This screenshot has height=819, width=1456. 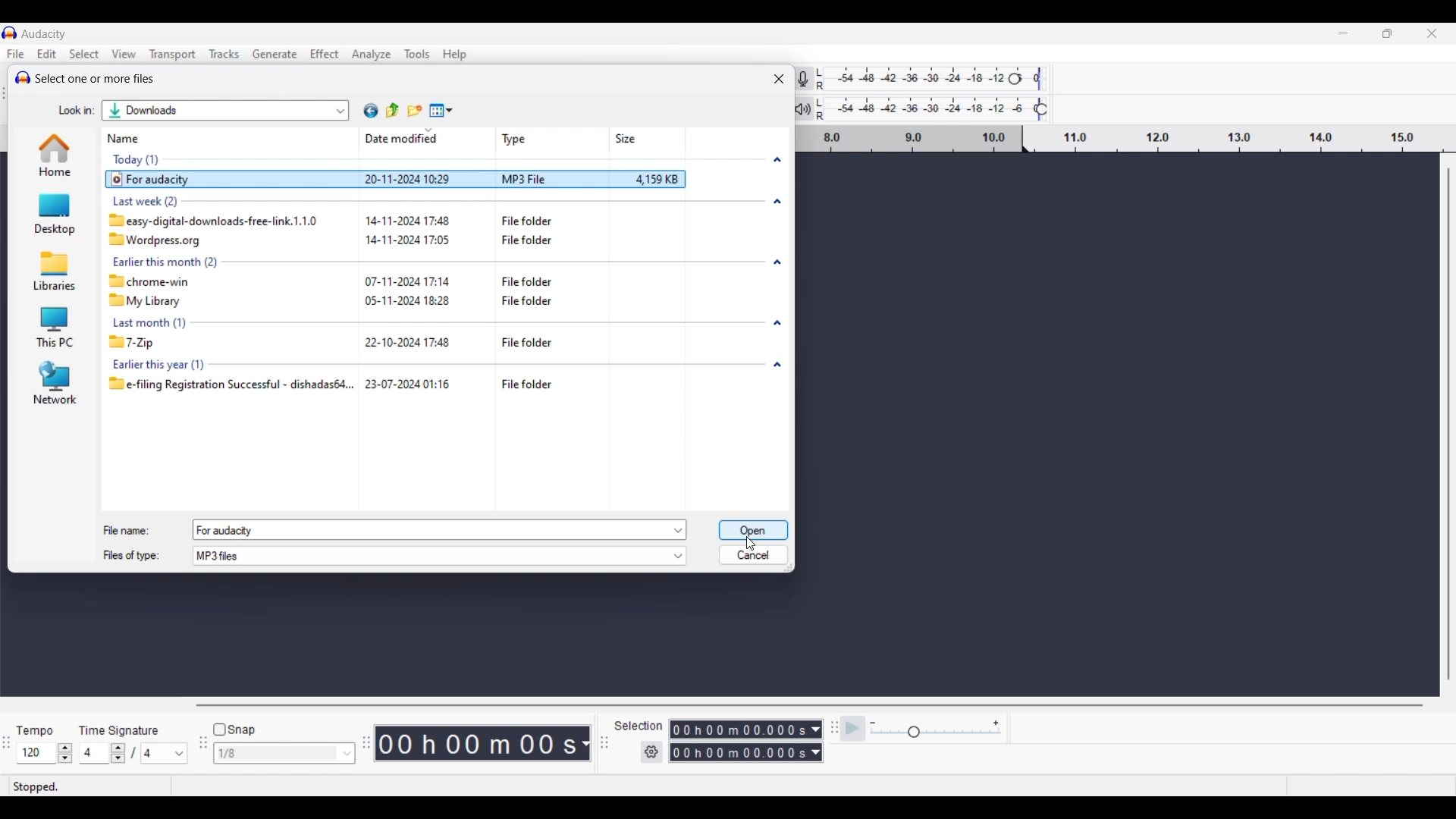 What do you see at coordinates (210, 365) in the screenshot?
I see `Earlier this year (1)` at bounding box center [210, 365].